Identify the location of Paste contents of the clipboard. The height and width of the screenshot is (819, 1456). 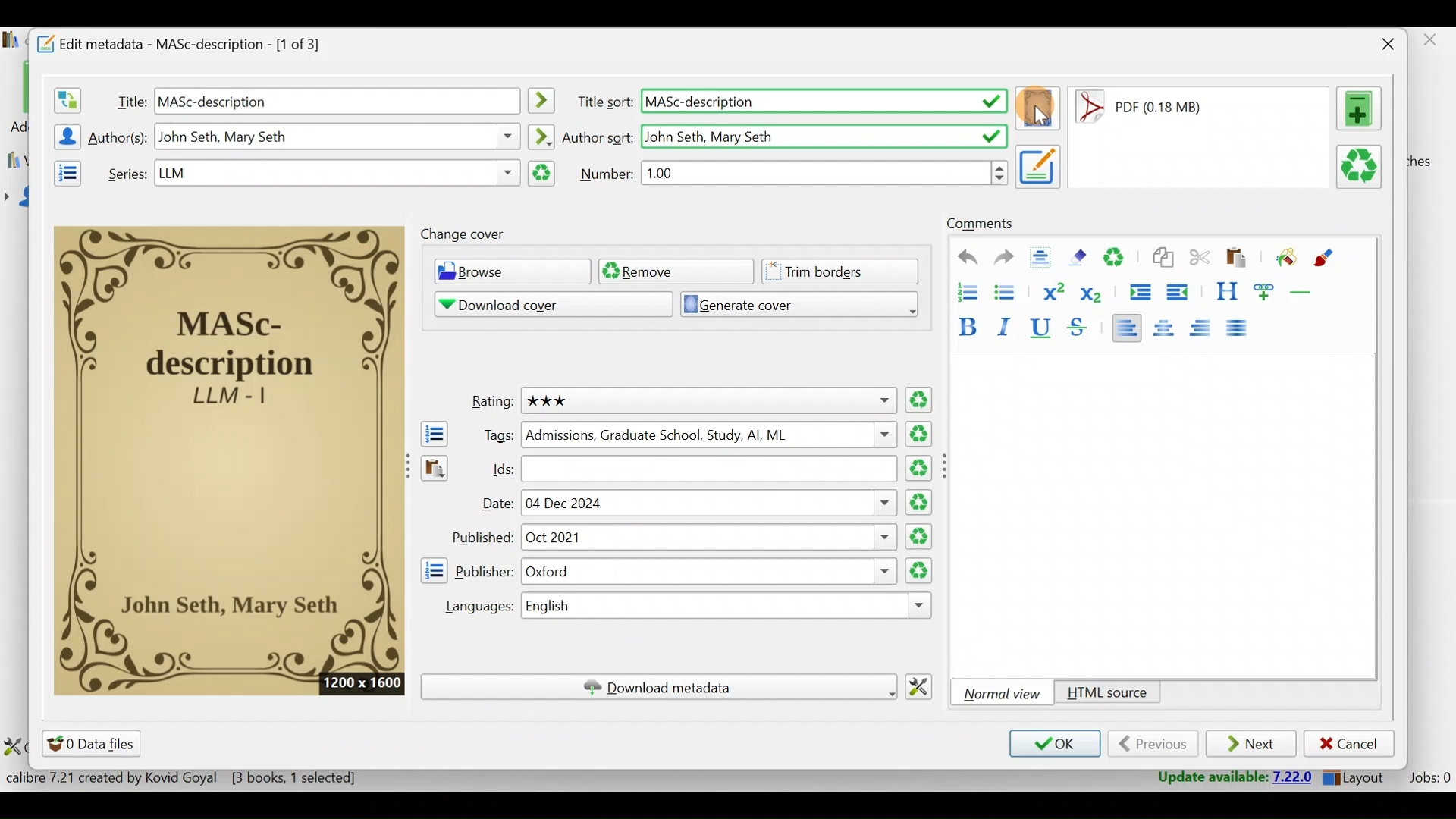
(433, 475).